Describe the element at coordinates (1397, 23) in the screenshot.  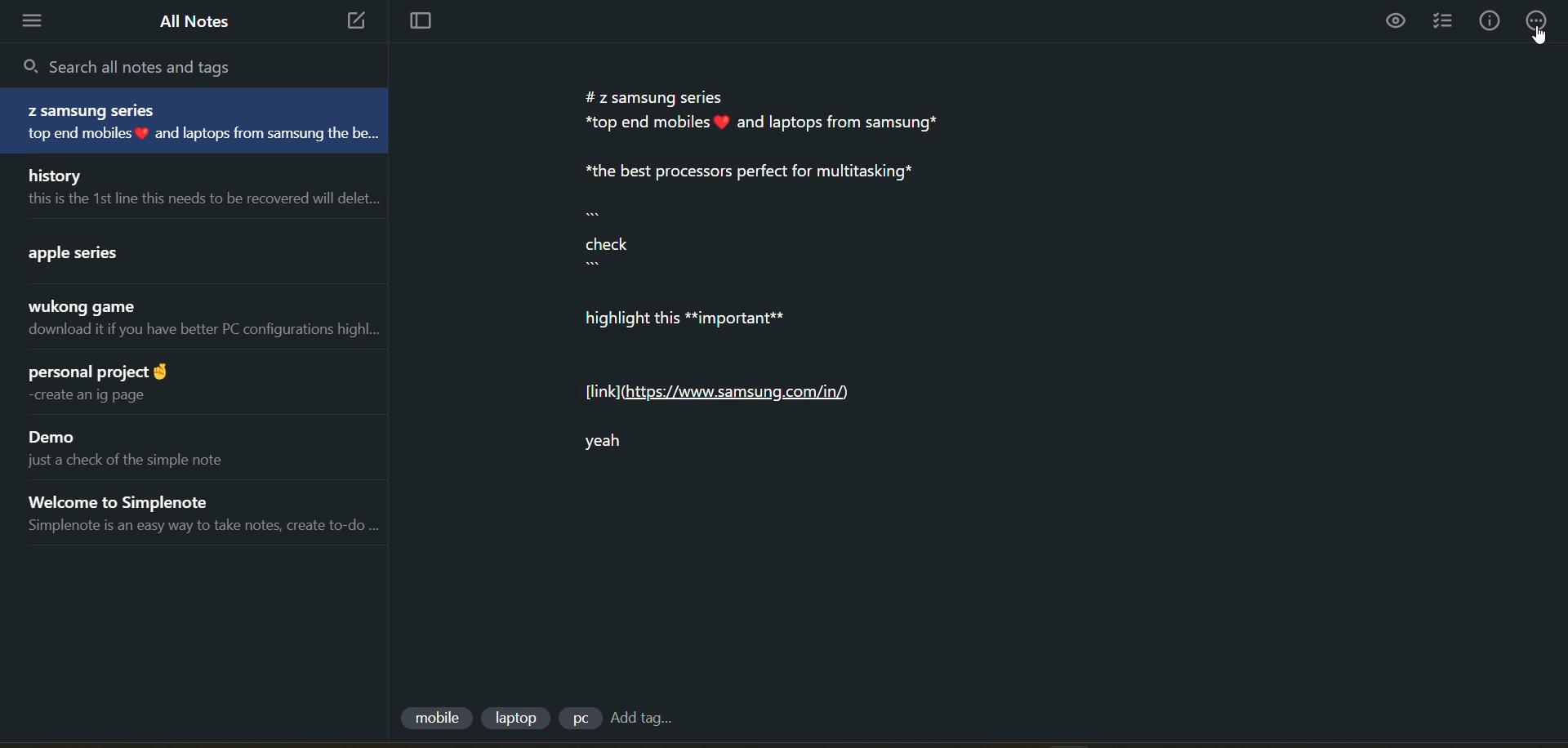
I see `preview` at that location.